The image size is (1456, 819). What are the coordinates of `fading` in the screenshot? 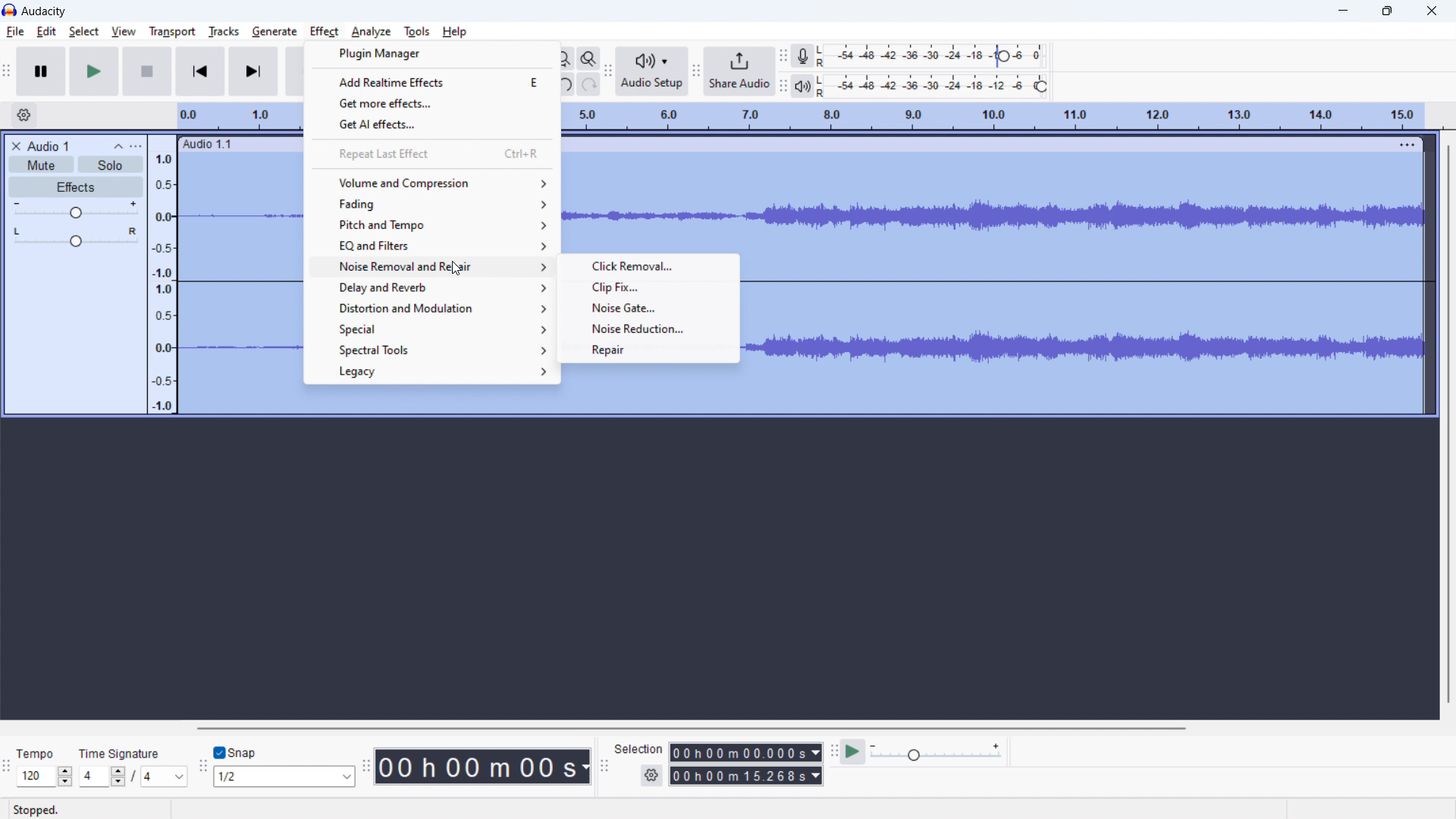 It's located at (431, 204).